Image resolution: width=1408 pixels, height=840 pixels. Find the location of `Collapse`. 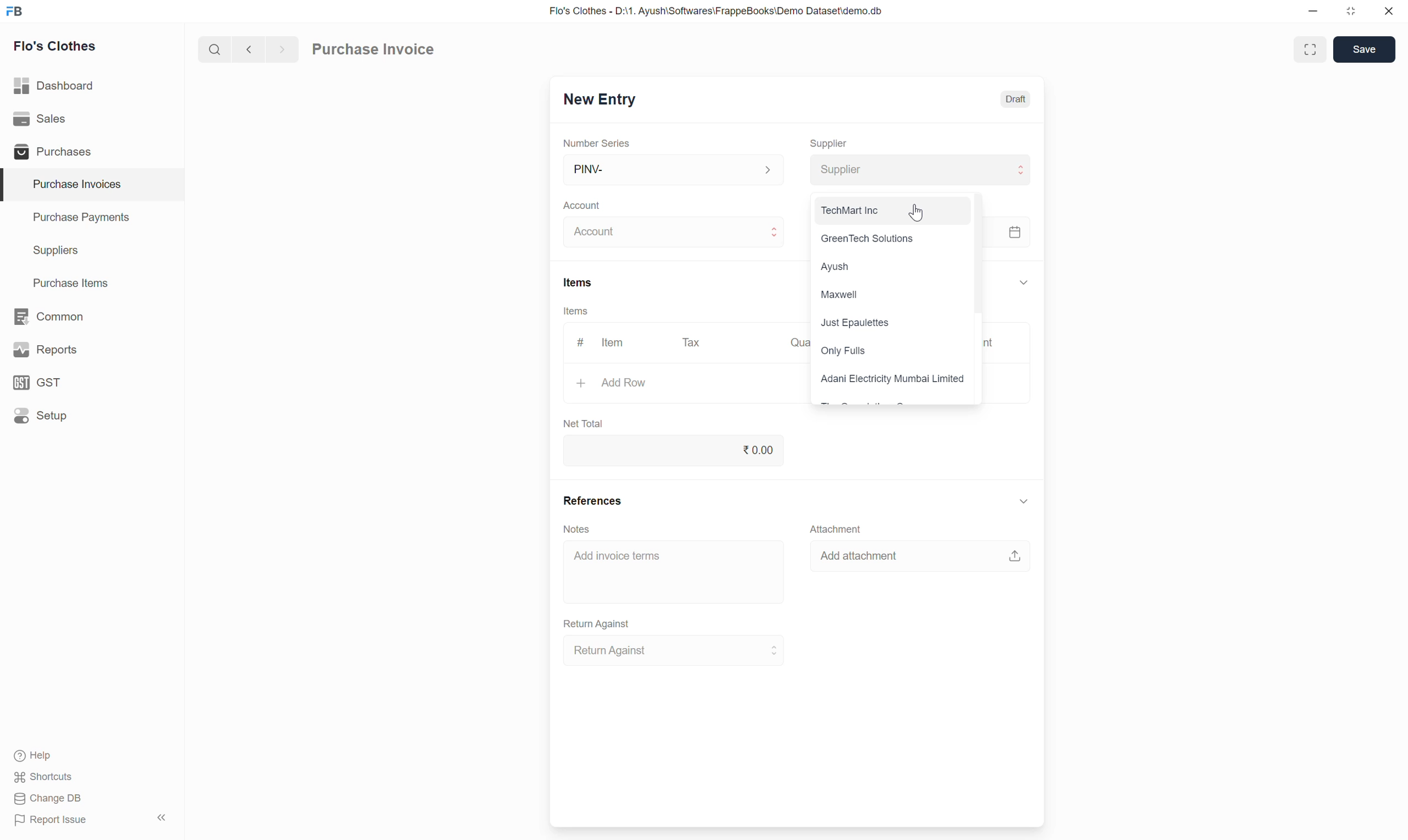

Collapse is located at coordinates (1024, 501).